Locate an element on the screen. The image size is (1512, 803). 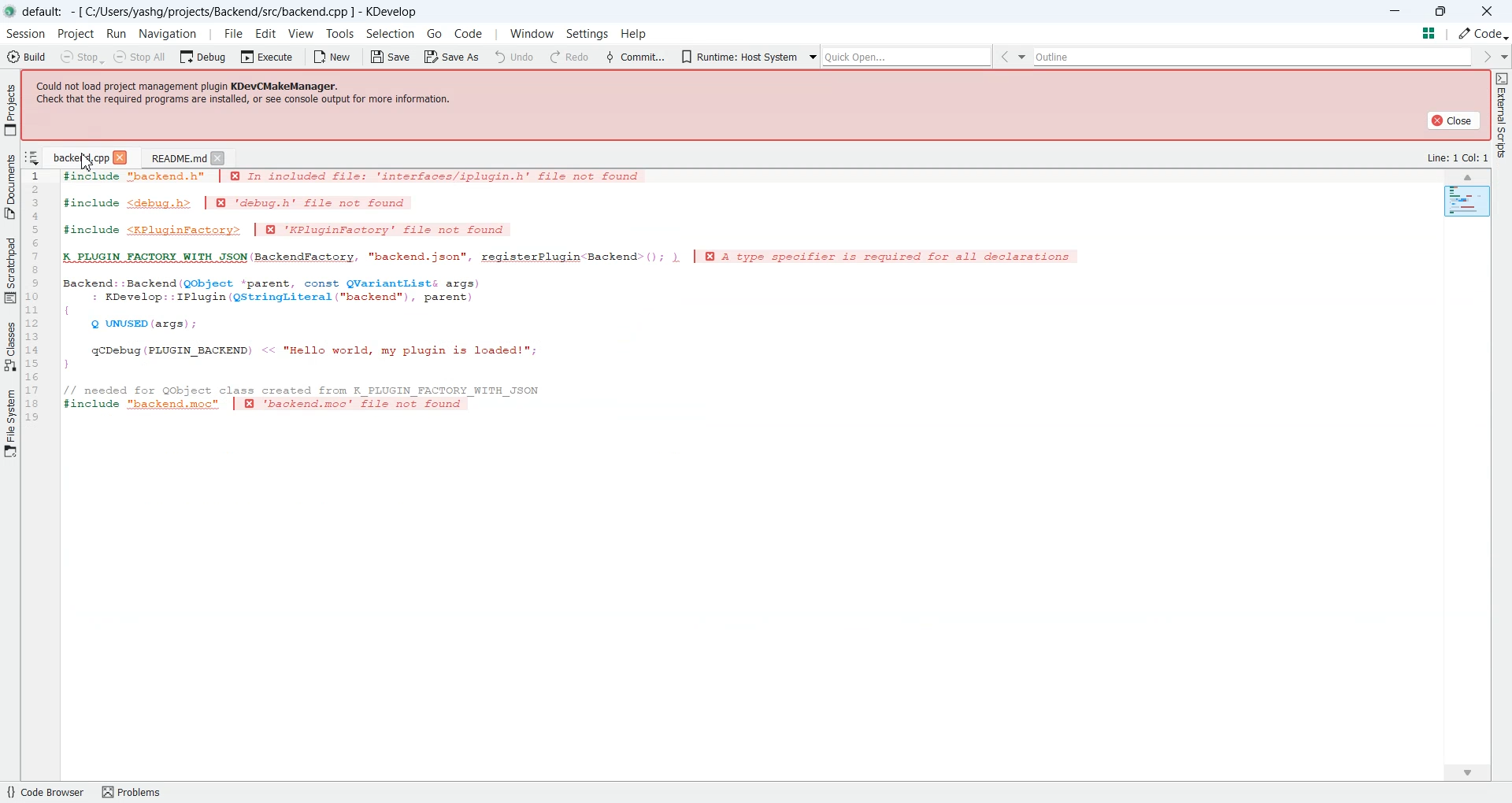
File System is located at coordinates (10, 422).